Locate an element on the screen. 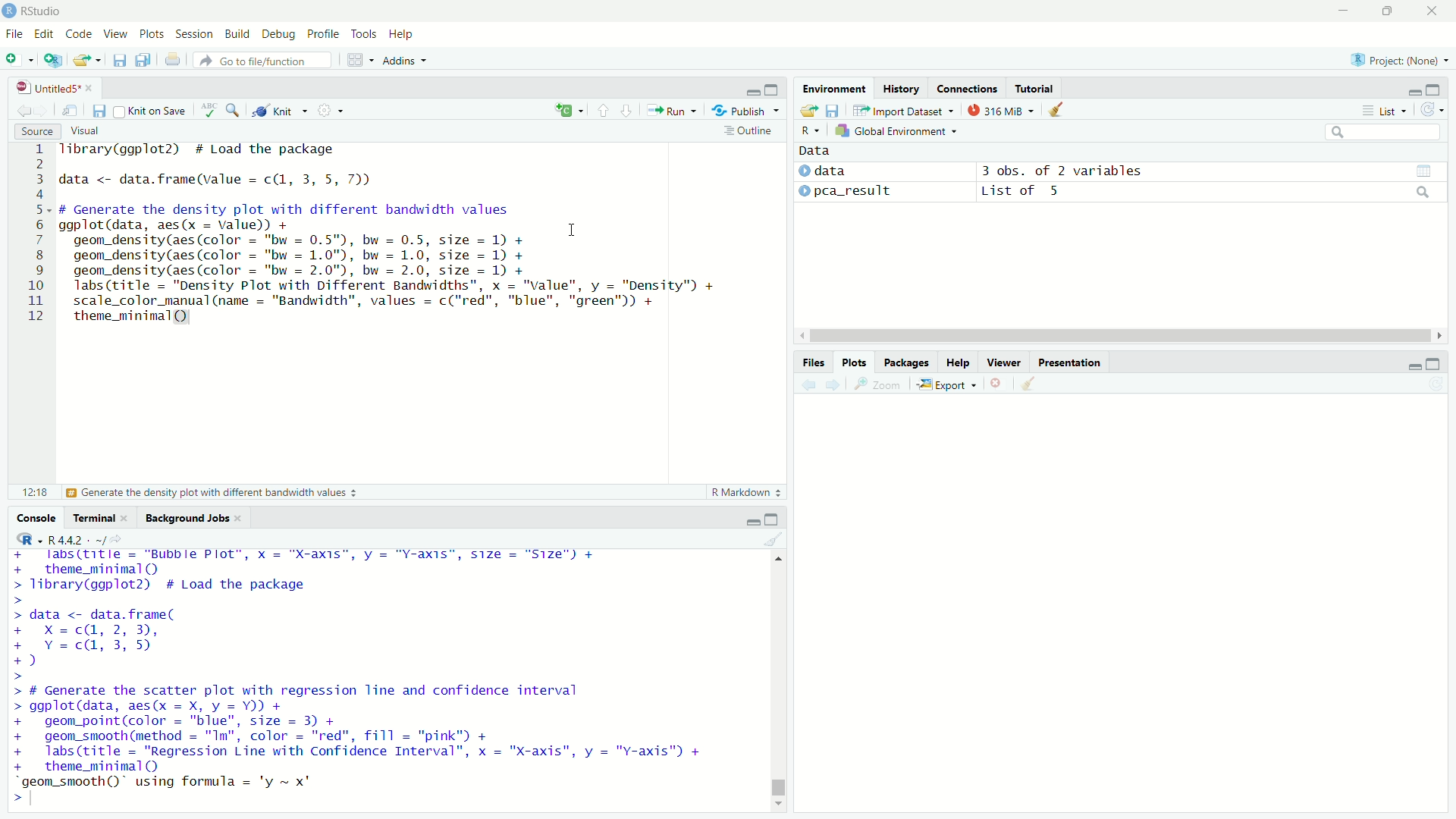  maximize is located at coordinates (770, 518).